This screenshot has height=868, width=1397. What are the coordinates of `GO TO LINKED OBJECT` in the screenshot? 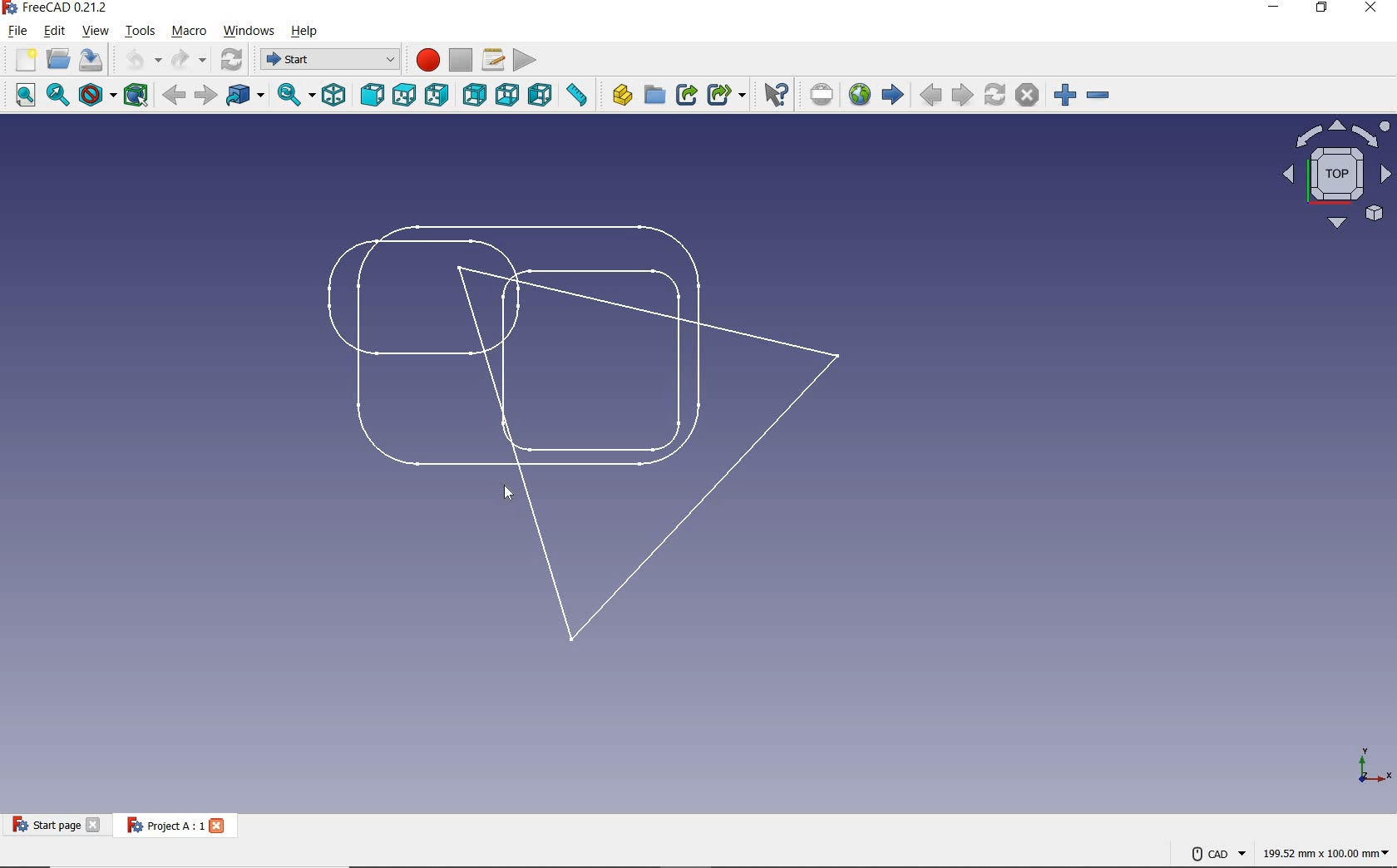 It's located at (245, 96).